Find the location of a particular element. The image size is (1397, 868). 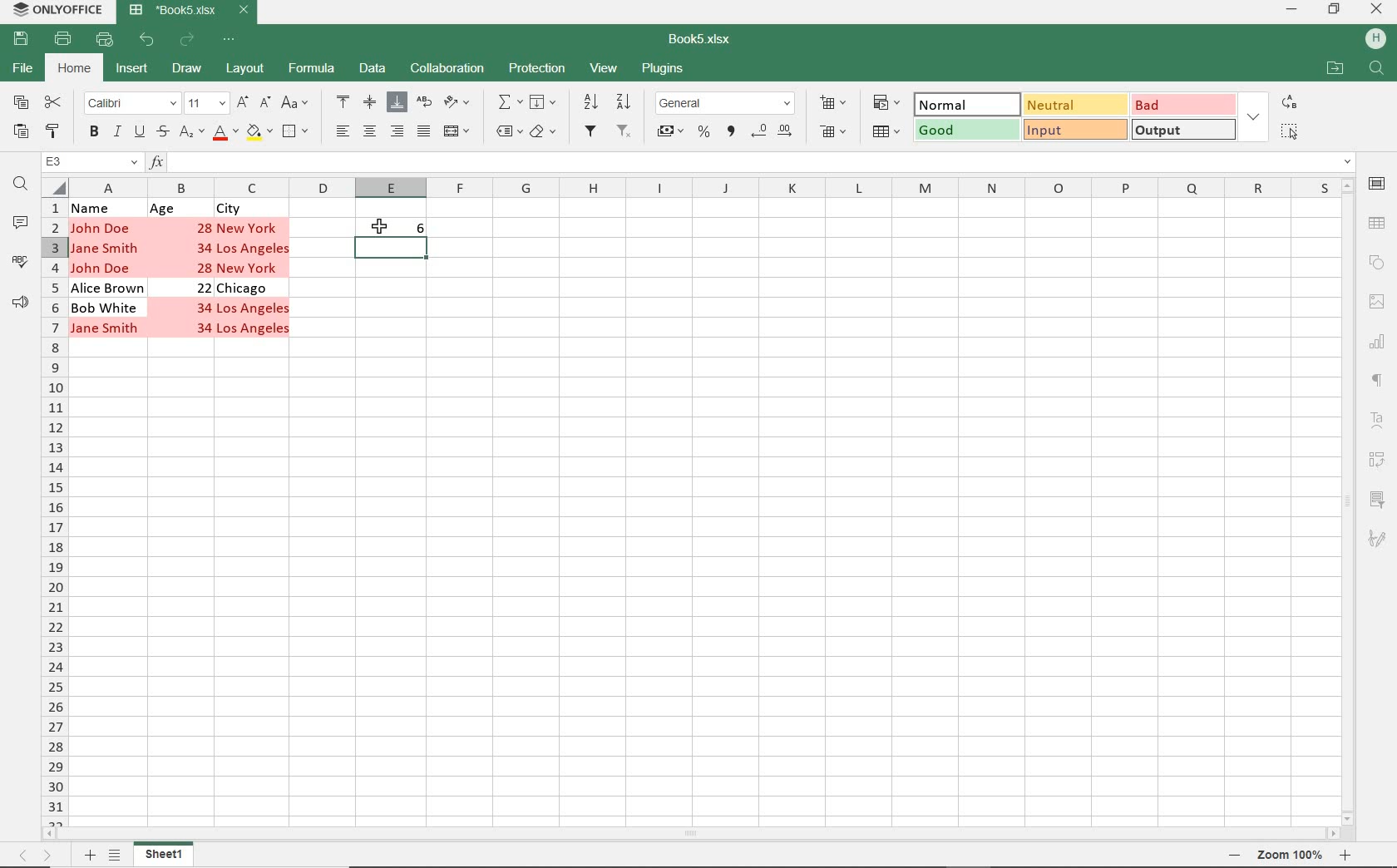

John Doe is located at coordinates (101, 226).